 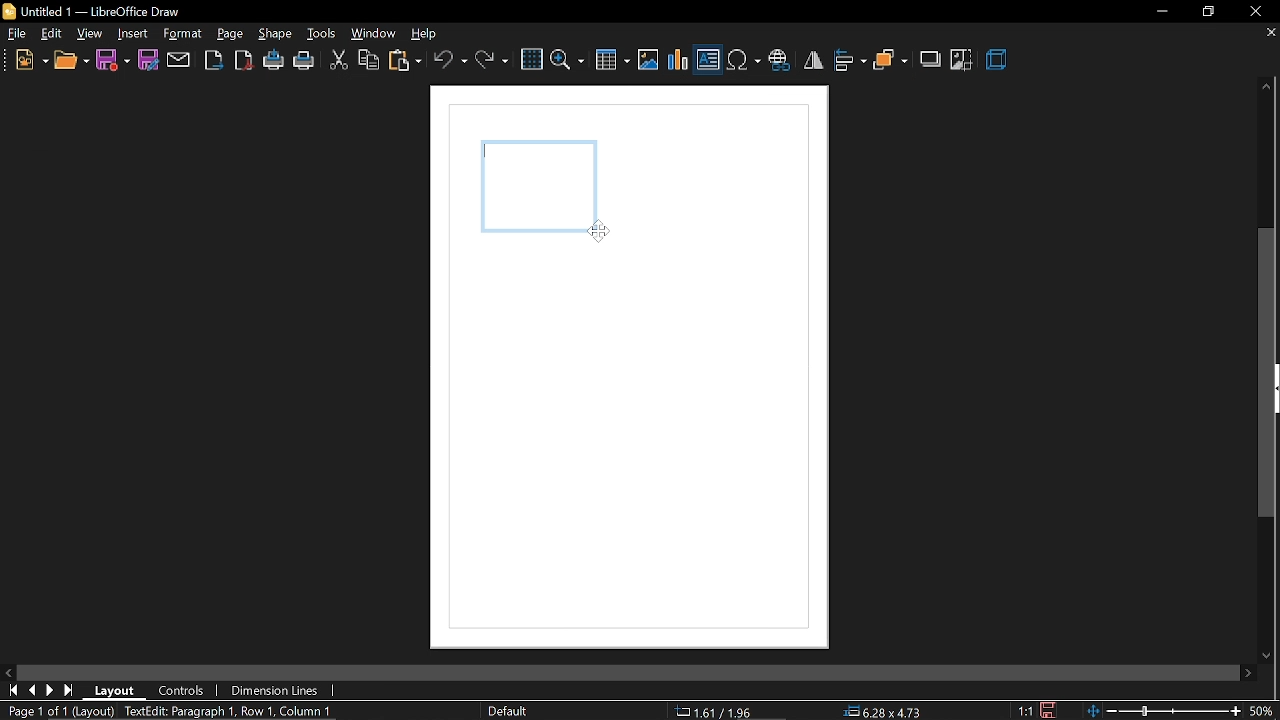 What do you see at coordinates (1265, 33) in the screenshot?
I see `close current tab` at bounding box center [1265, 33].